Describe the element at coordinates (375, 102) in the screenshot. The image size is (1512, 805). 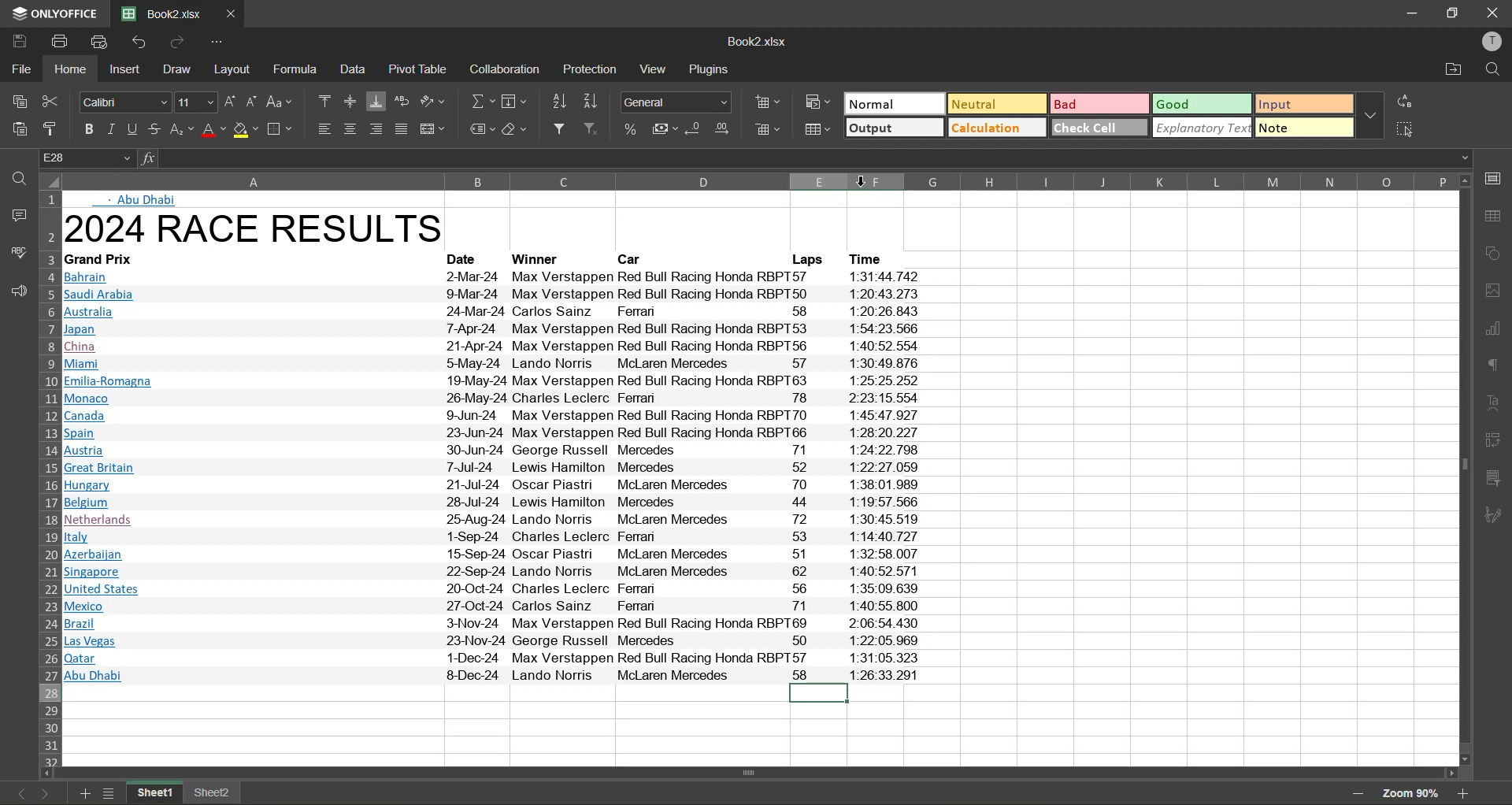
I see `align bottom` at that location.